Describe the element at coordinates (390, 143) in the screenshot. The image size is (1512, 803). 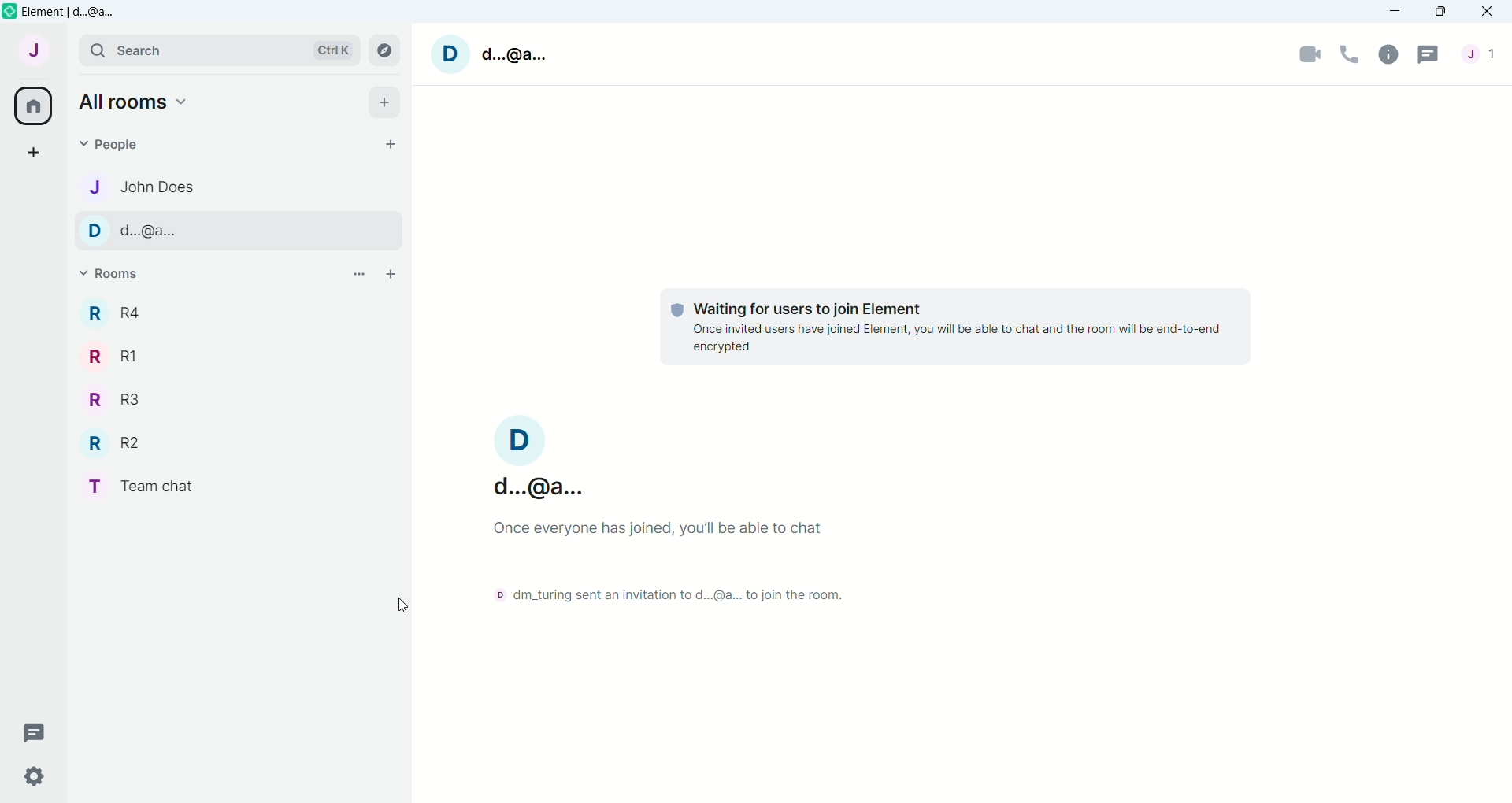
I see `Start chat` at that location.